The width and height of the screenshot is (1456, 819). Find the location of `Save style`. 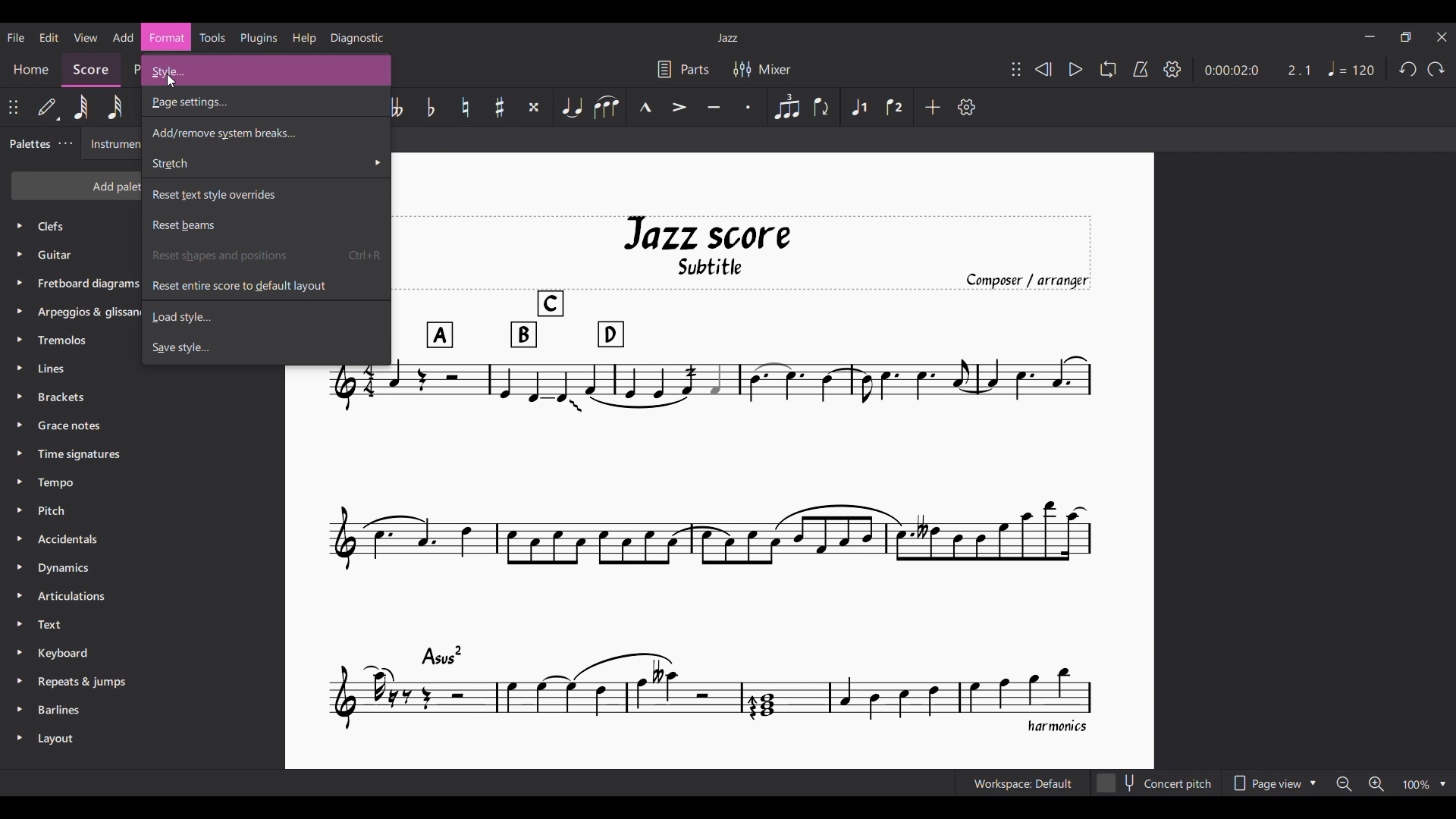

Save style is located at coordinates (224, 346).